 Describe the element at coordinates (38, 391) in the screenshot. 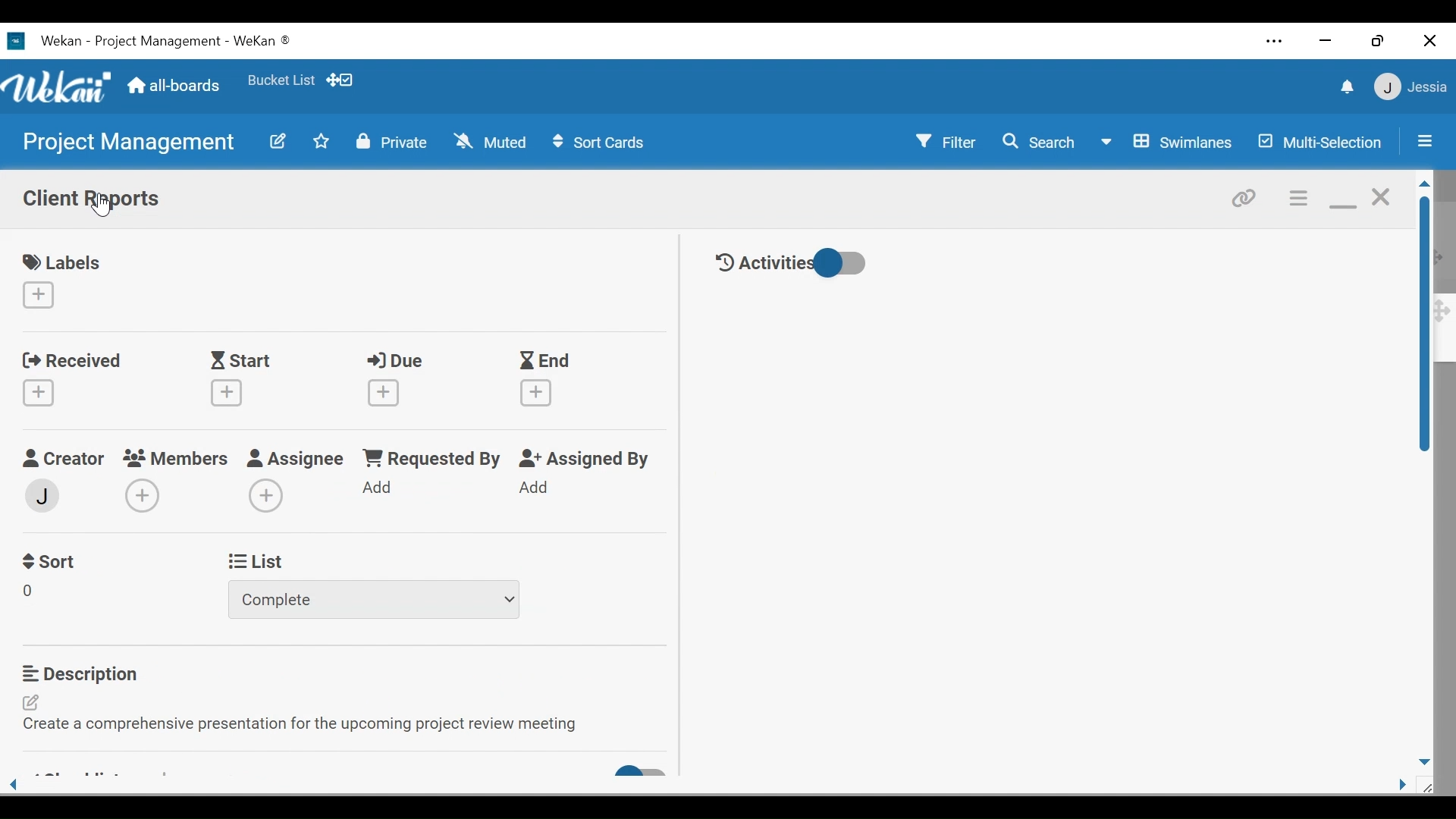

I see `Create Received date` at that location.